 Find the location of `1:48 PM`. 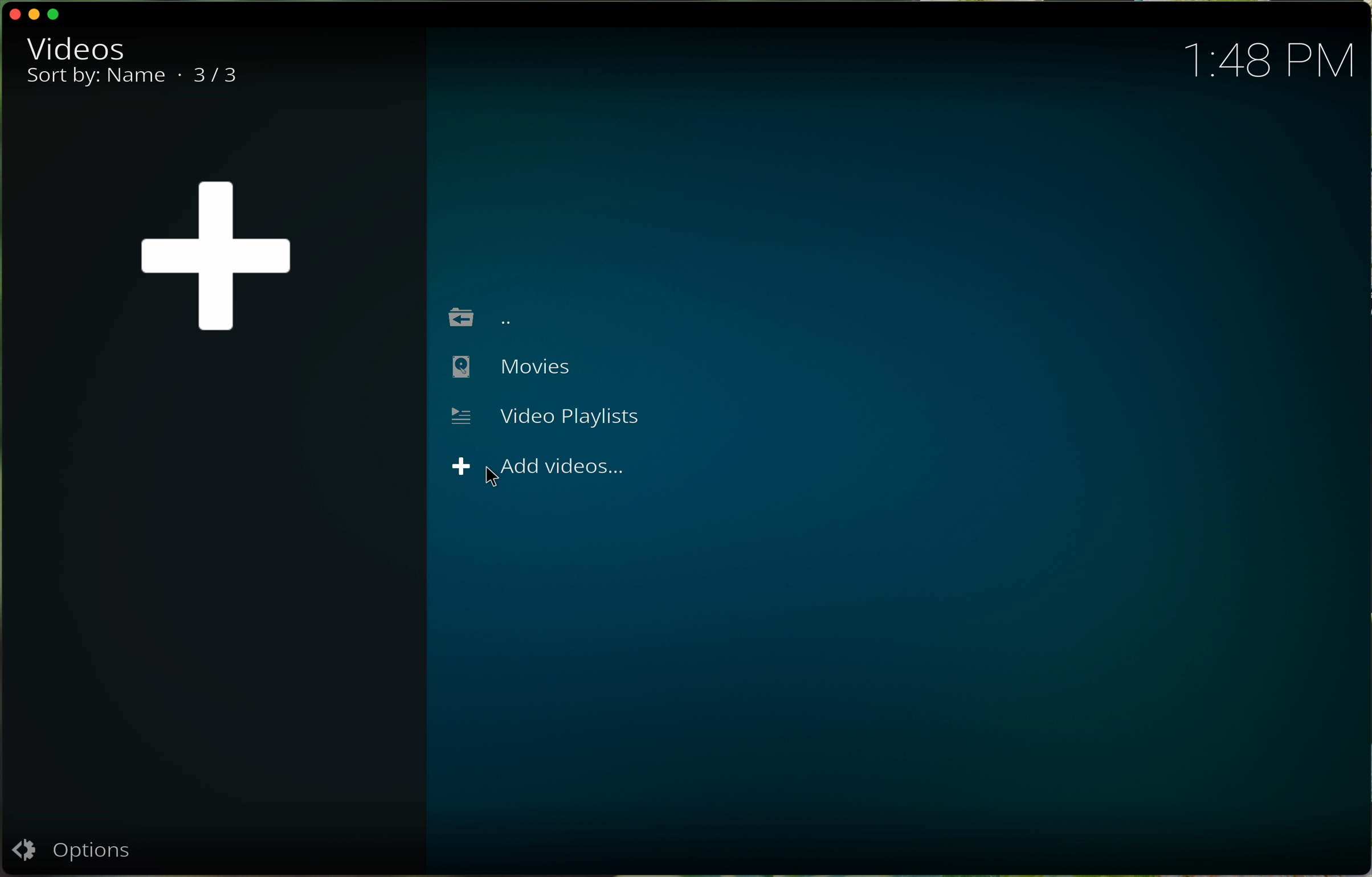

1:48 PM is located at coordinates (1277, 59).